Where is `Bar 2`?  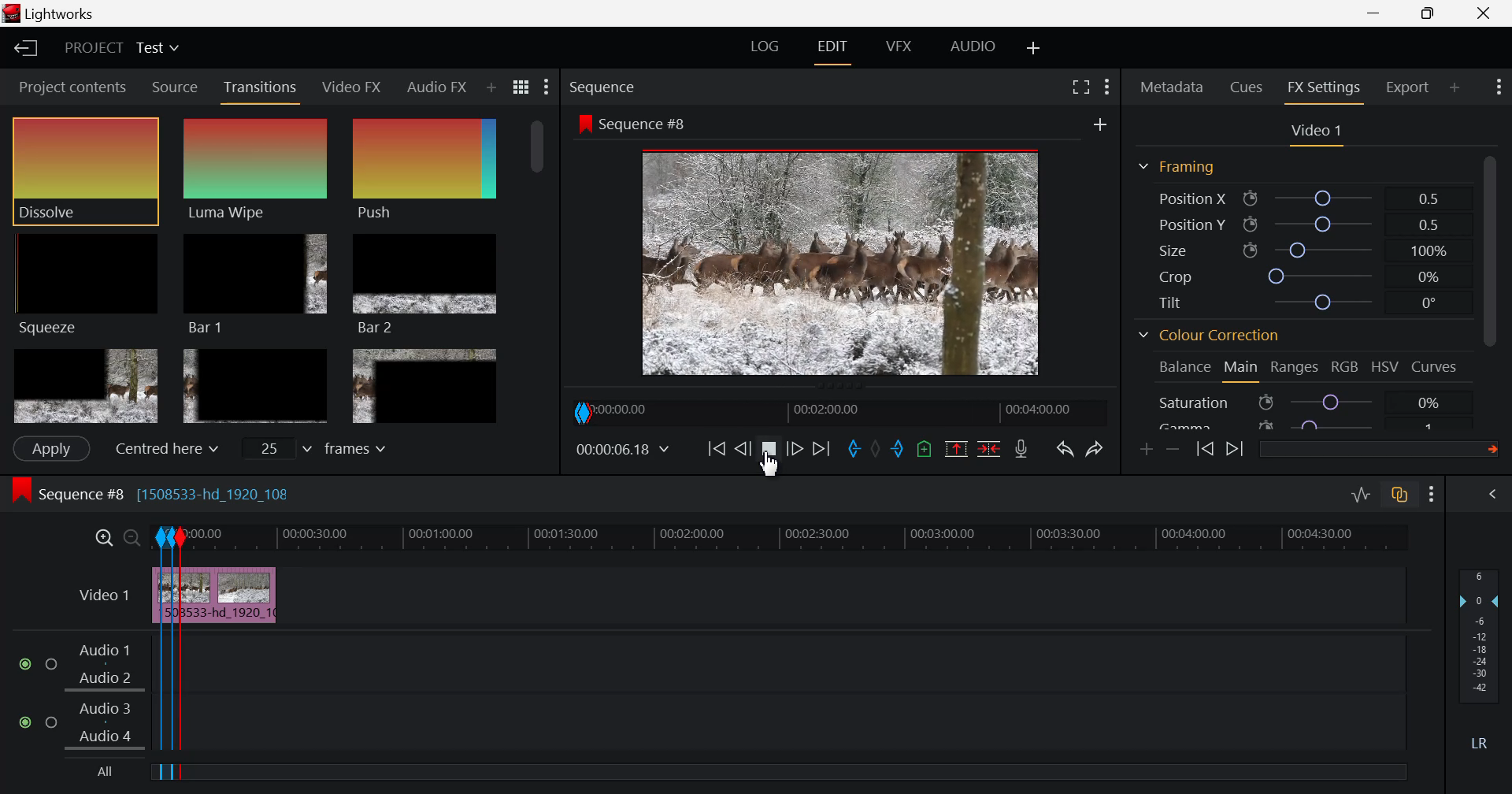
Bar 2 is located at coordinates (426, 284).